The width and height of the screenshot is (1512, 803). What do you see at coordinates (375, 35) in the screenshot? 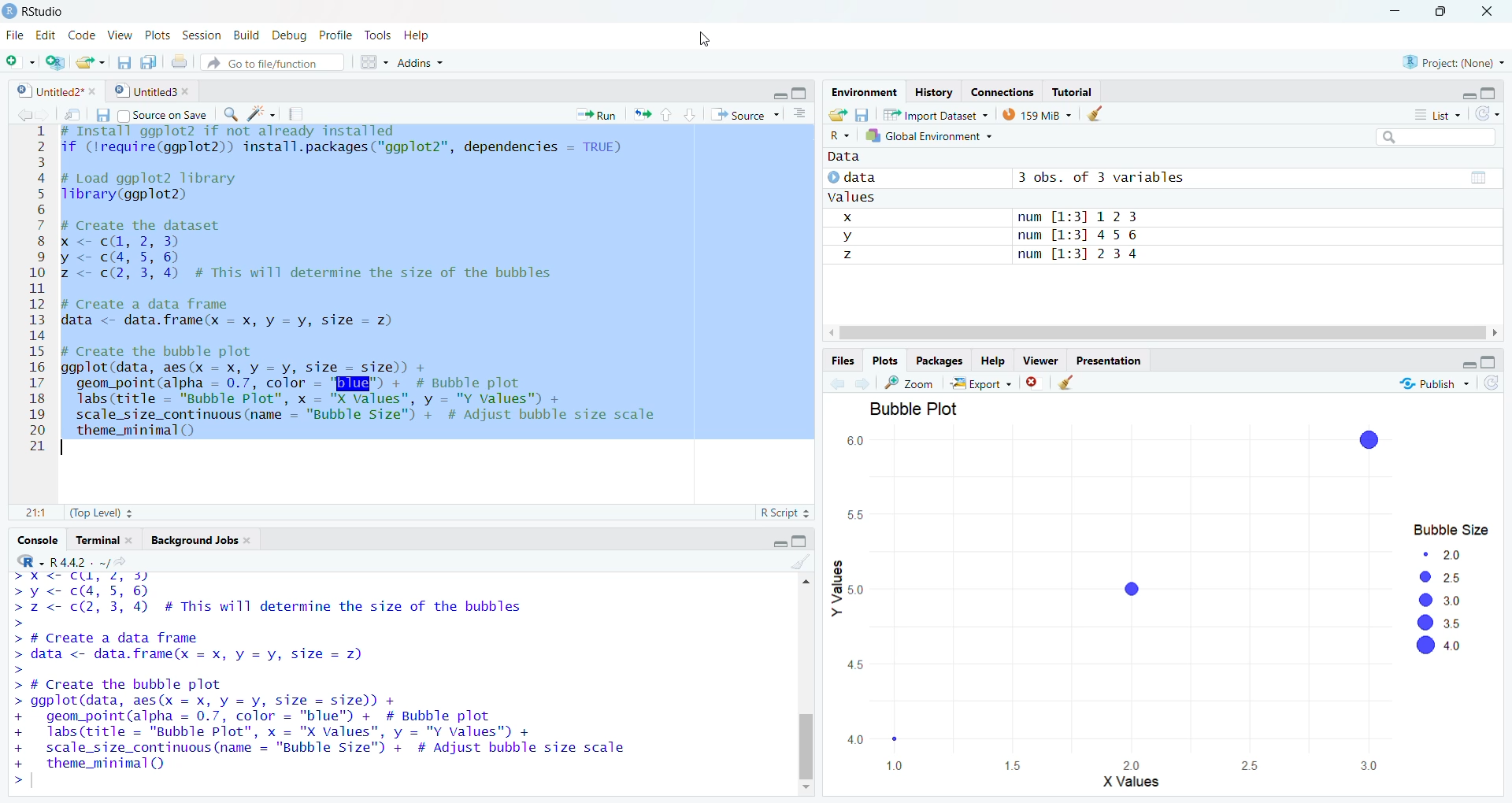
I see `Tools` at bounding box center [375, 35].